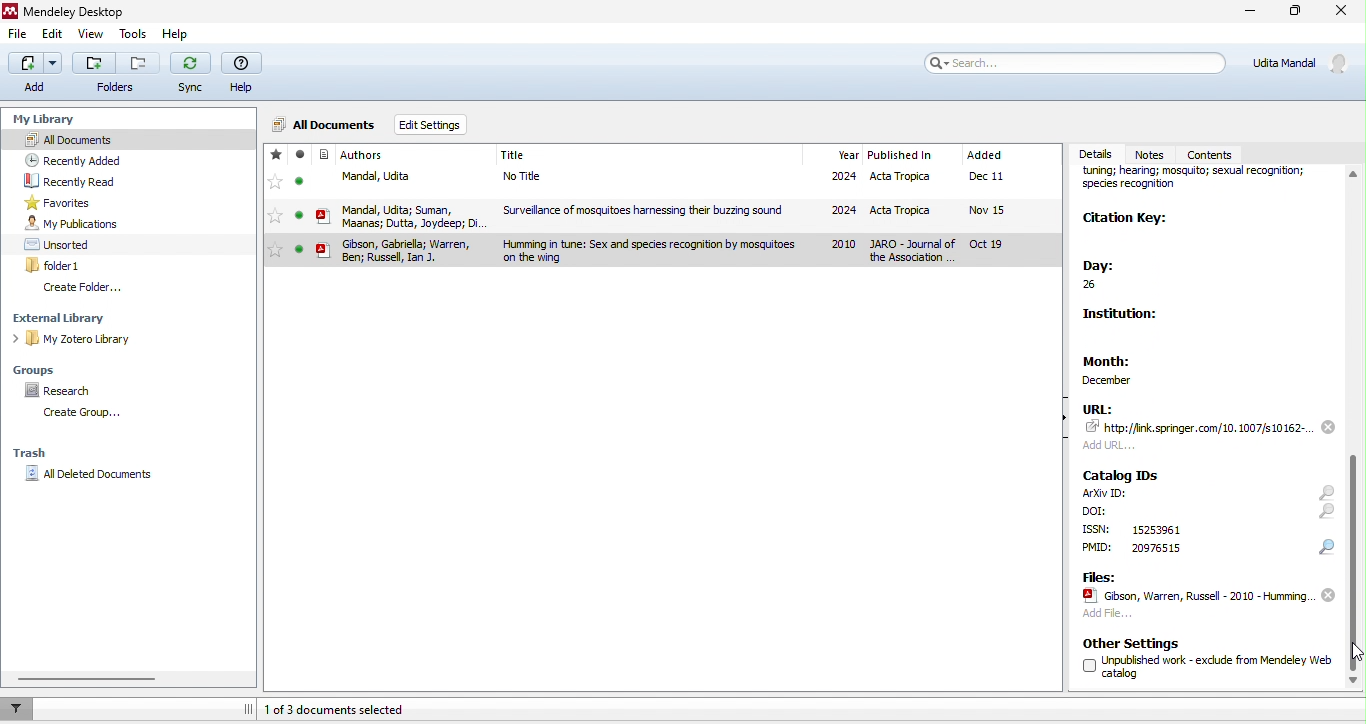 The height and width of the screenshot is (724, 1366). What do you see at coordinates (192, 75) in the screenshot?
I see `sync` at bounding box center [192, 75].